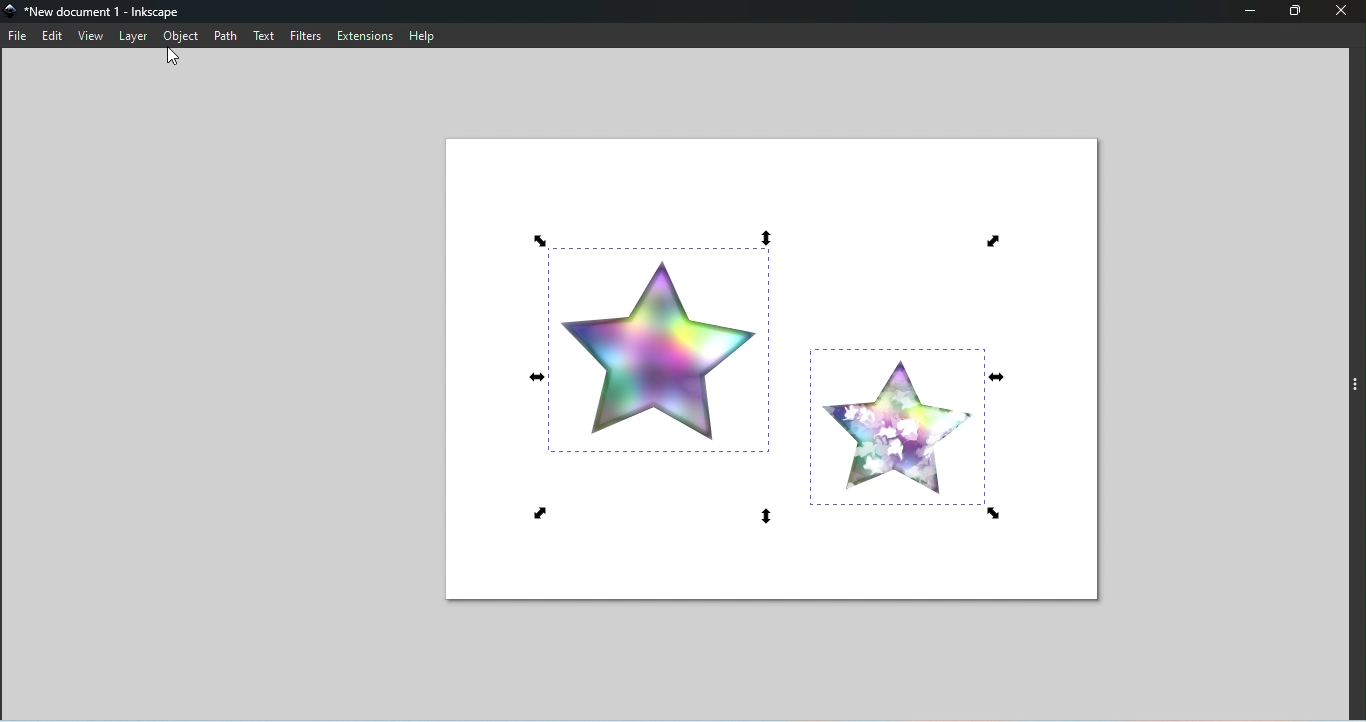 The width and height of the screenshot is (1366, 722). What do you see at coordinates (136, 37) in the screenshot?
I see `Layer` at bounding box center [136, 37].